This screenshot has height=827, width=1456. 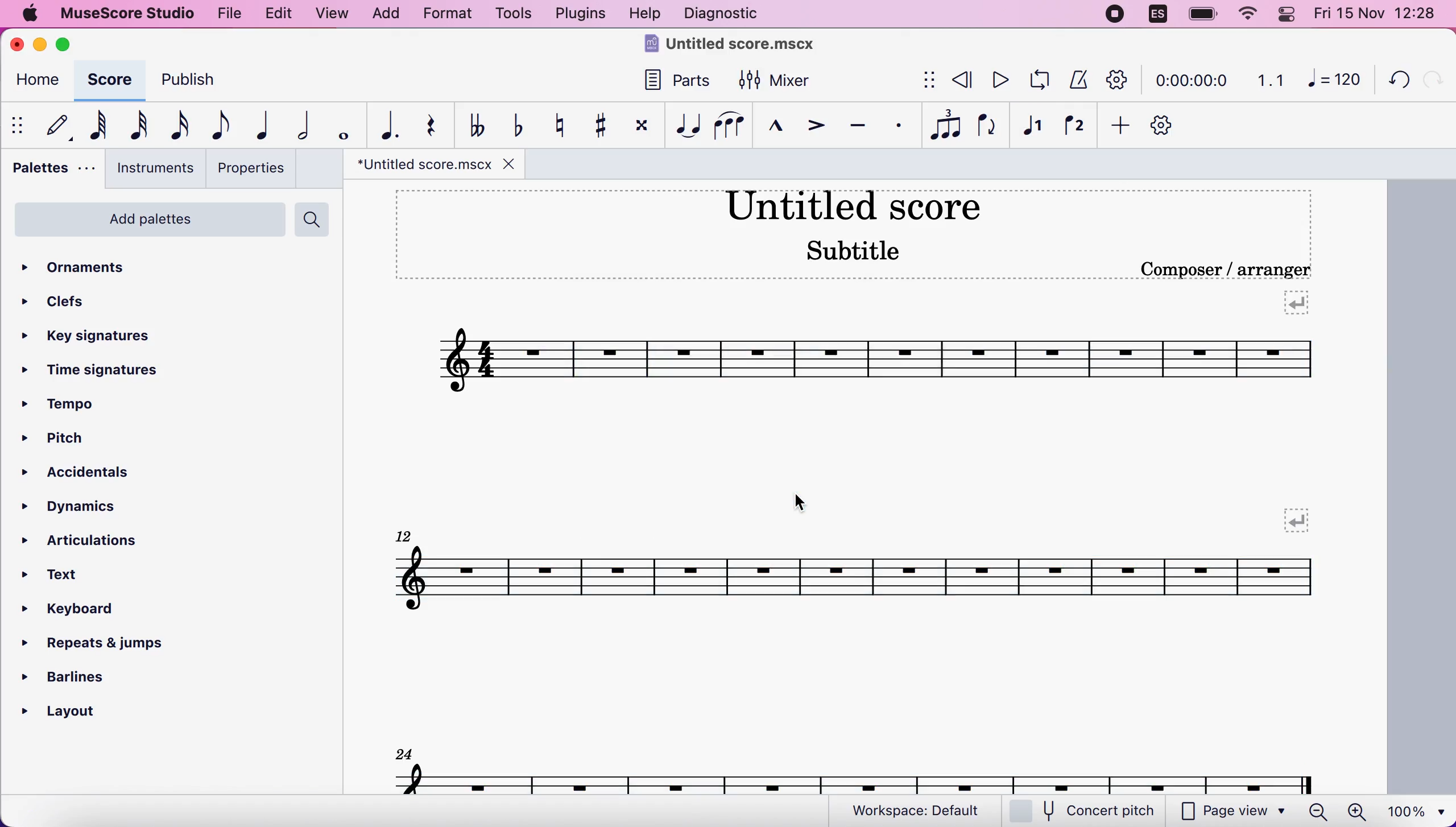 I want to click on title, so click(x=734, y=46).